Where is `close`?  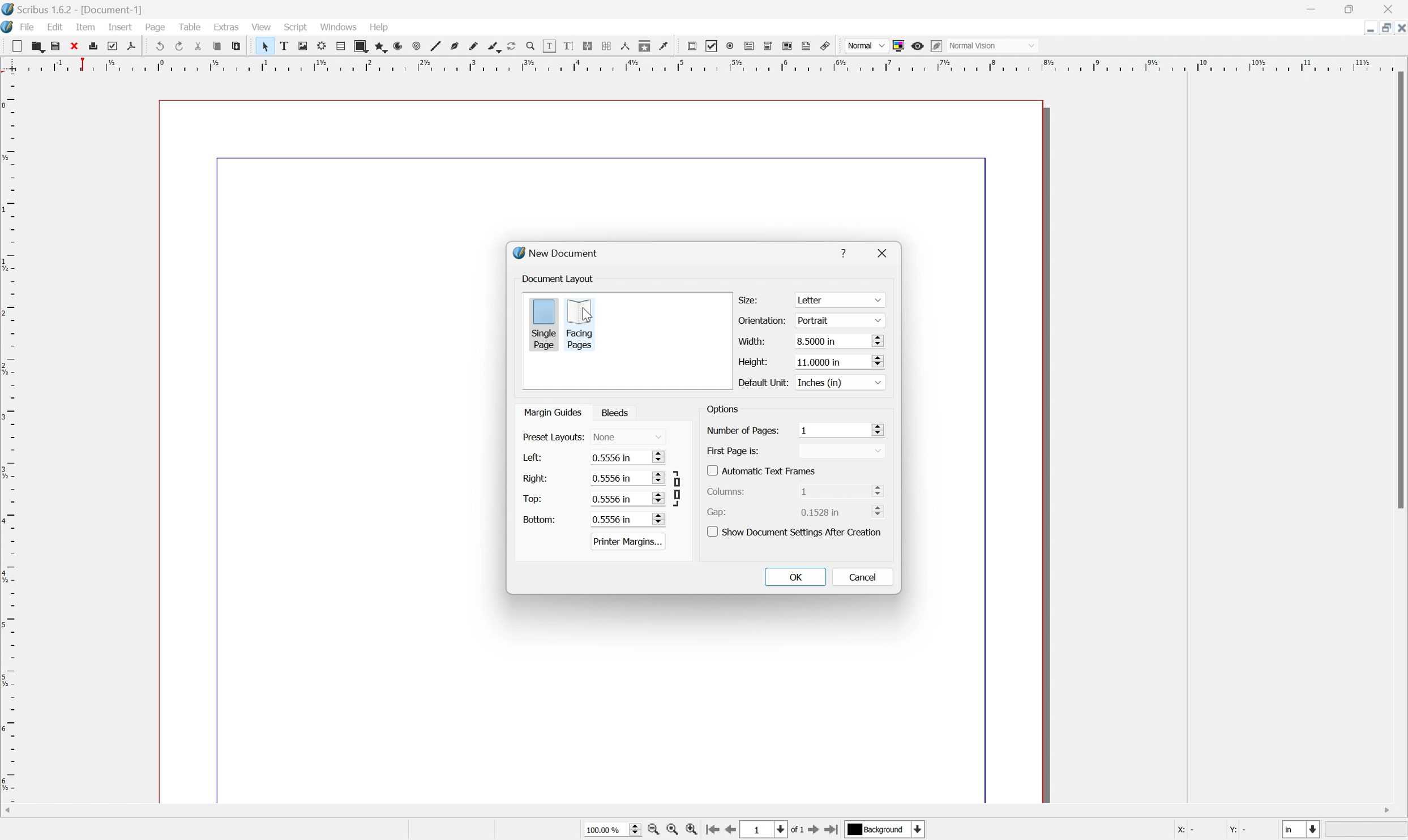 close is located at coordinates (886, 252).